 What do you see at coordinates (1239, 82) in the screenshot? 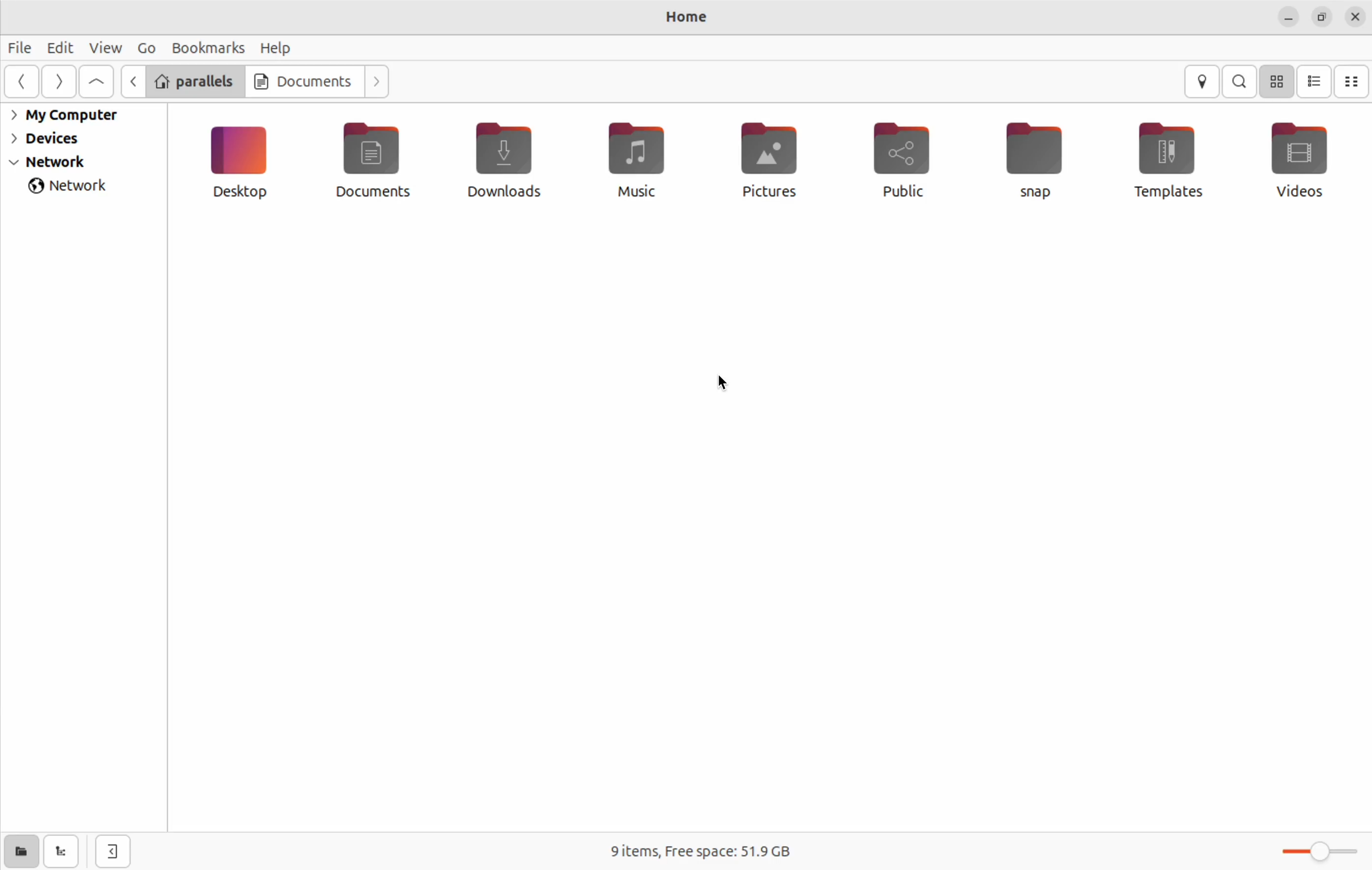
I see `search` at bounding box center [1239, 82].